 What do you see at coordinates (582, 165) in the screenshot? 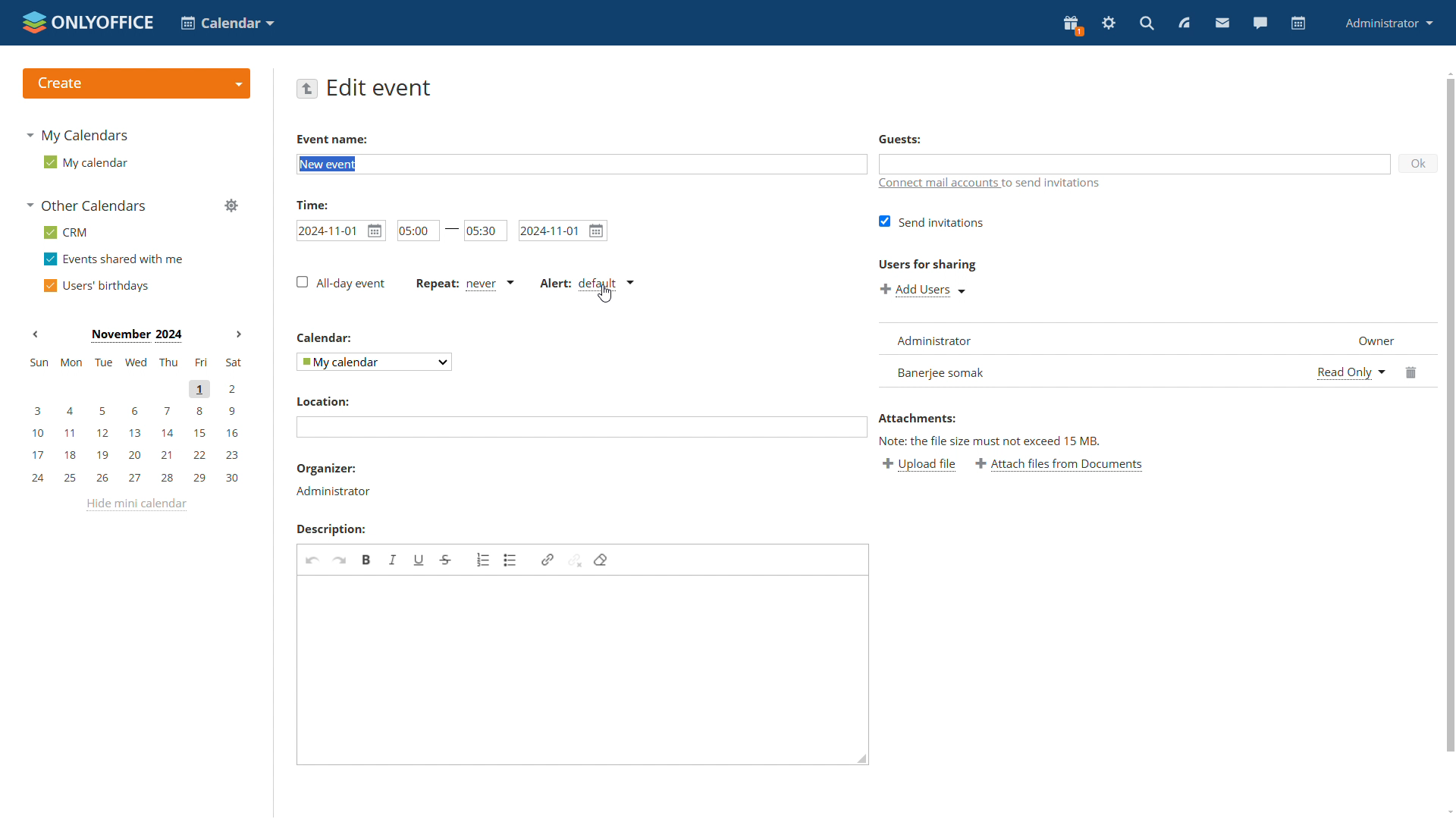
I see `edit event name` at bounding box center [582, 165].